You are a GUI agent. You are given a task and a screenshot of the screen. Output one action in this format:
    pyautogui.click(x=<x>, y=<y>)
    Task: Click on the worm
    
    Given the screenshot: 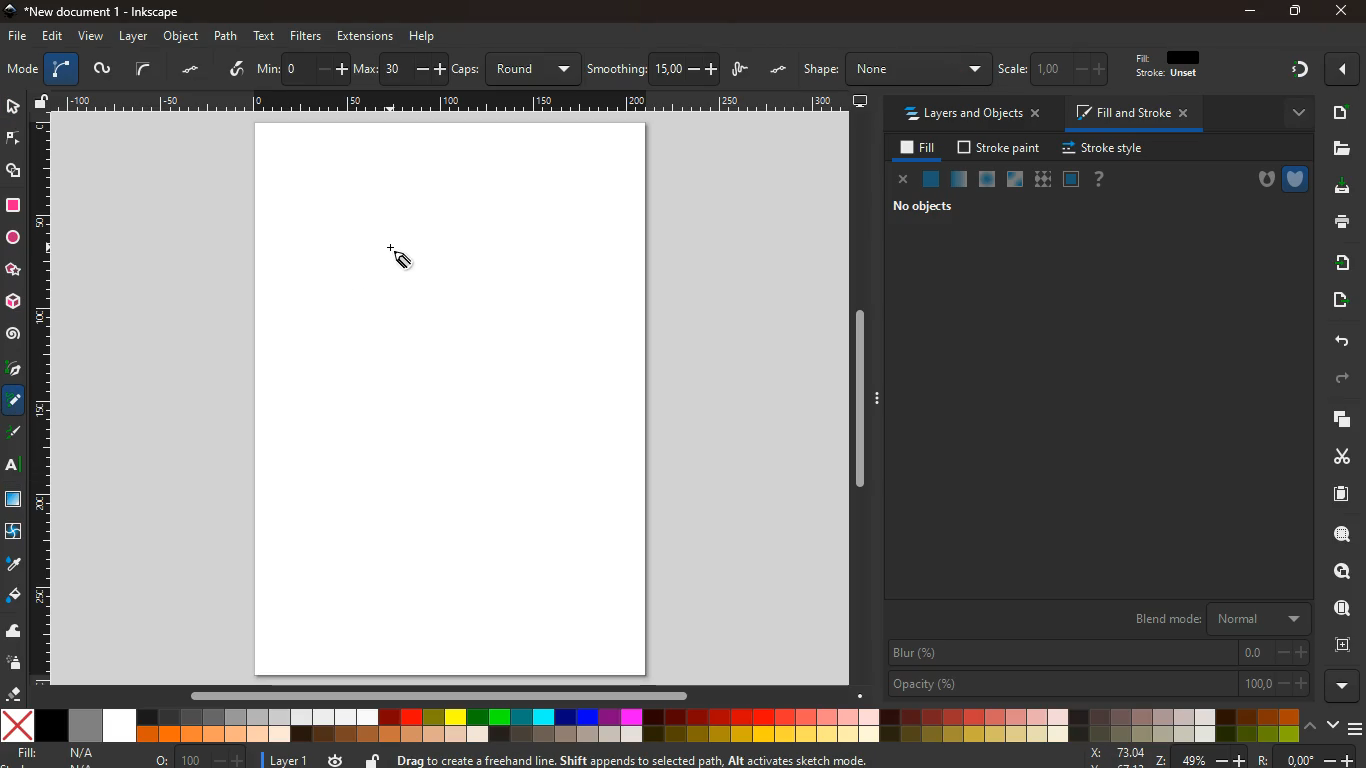 What is the action you would take?
    pyautogui.click(x=101, y=71)
    